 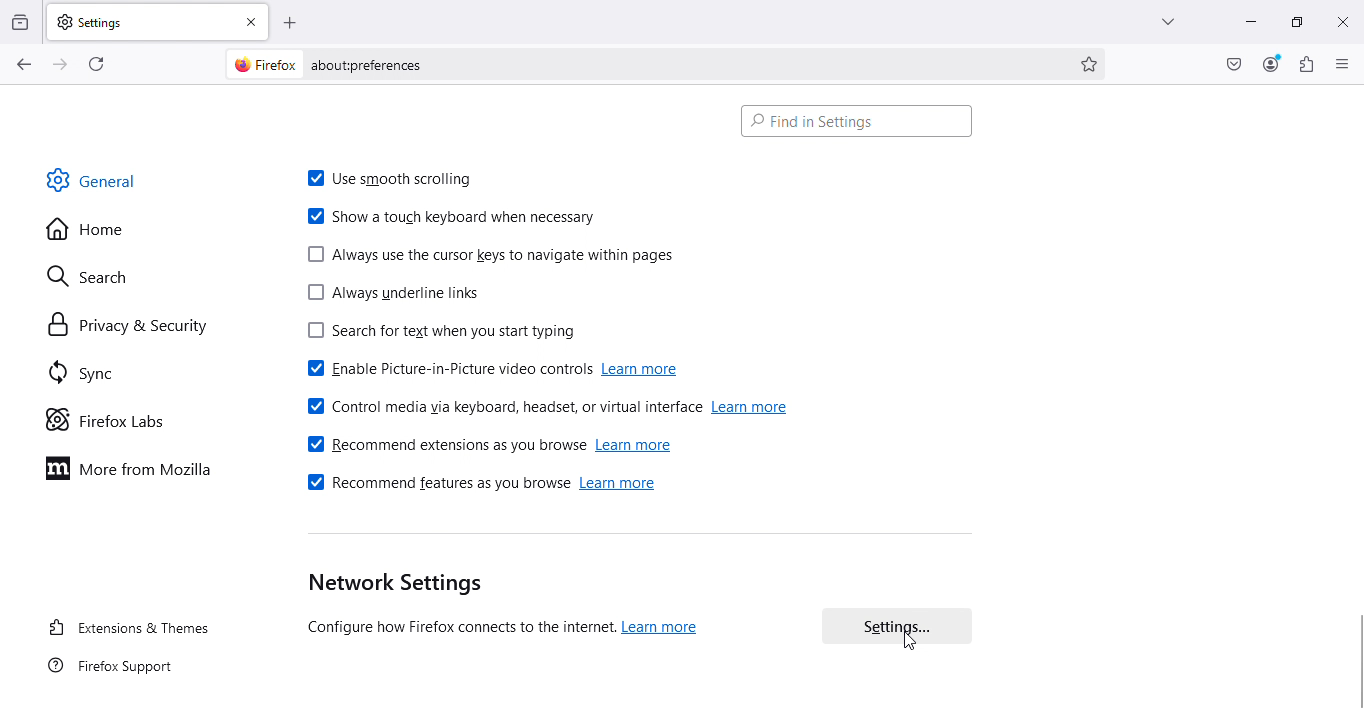 What do you see at coordinates (89, 376) in the screenshot?
I see `SYnc` at bounding box center [89, 376].